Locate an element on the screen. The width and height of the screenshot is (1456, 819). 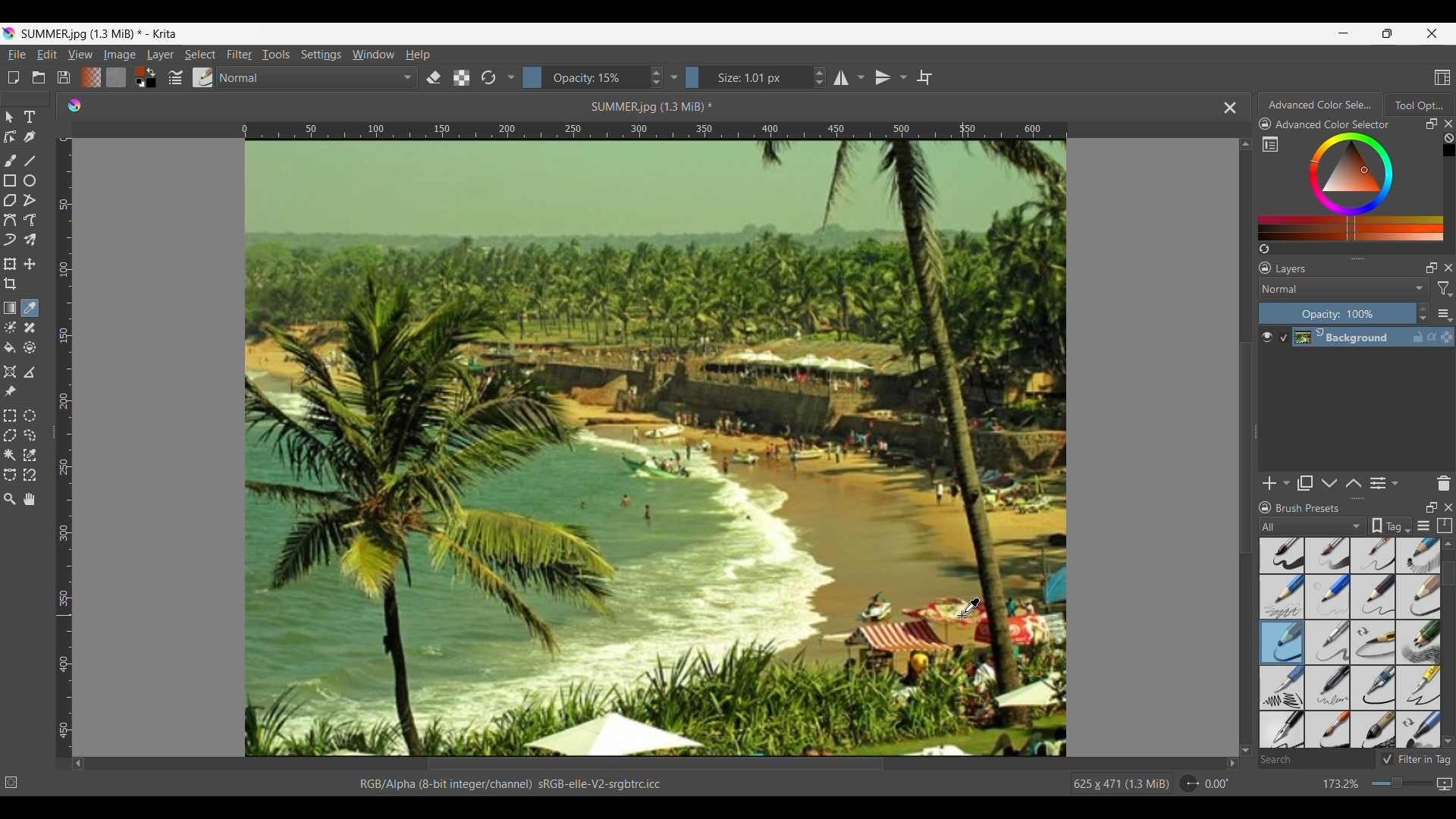
Text tool is located at coordinates (30, 118).